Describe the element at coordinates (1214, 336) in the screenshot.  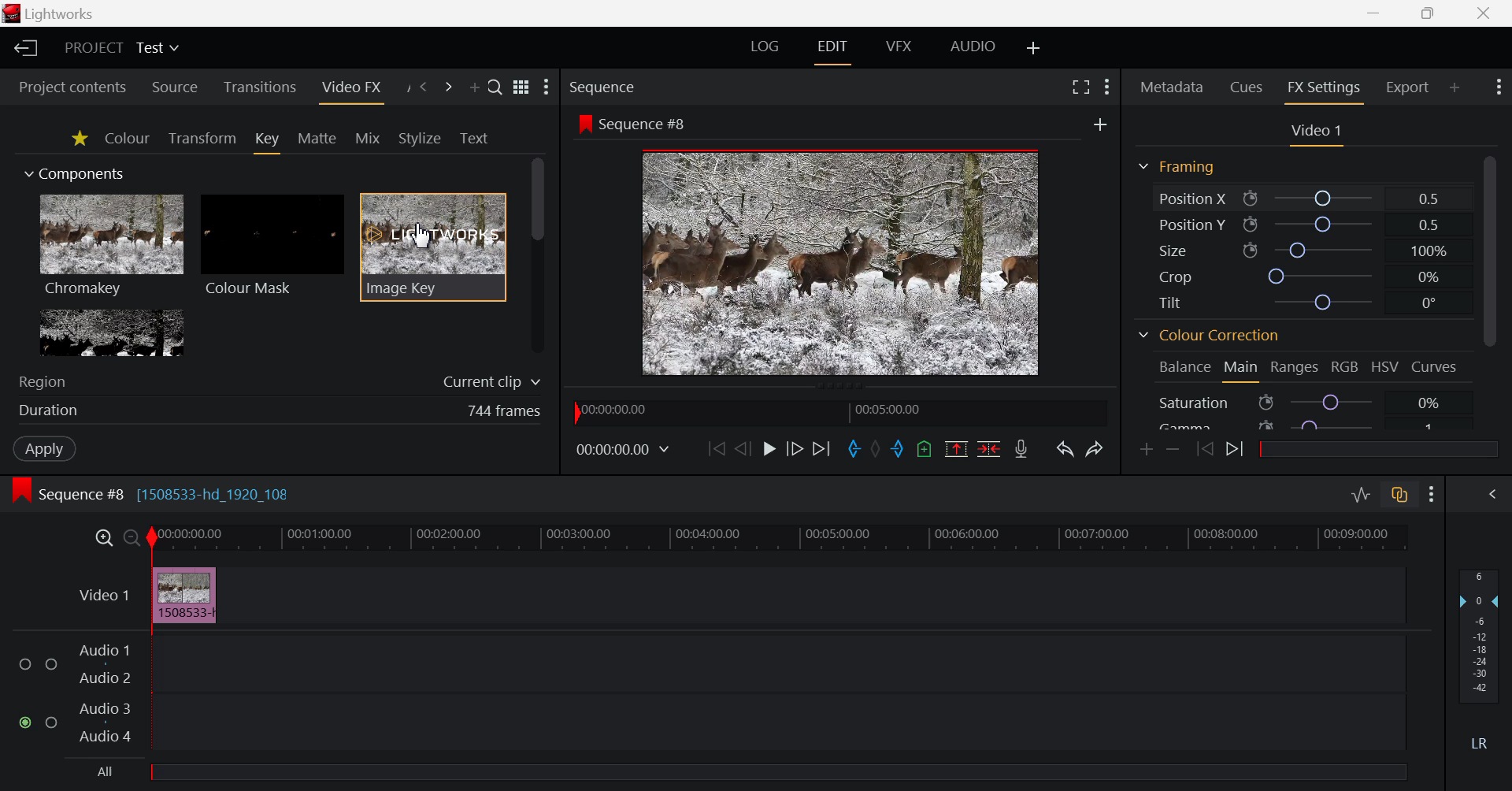
I see `Colour Correction` at that location.